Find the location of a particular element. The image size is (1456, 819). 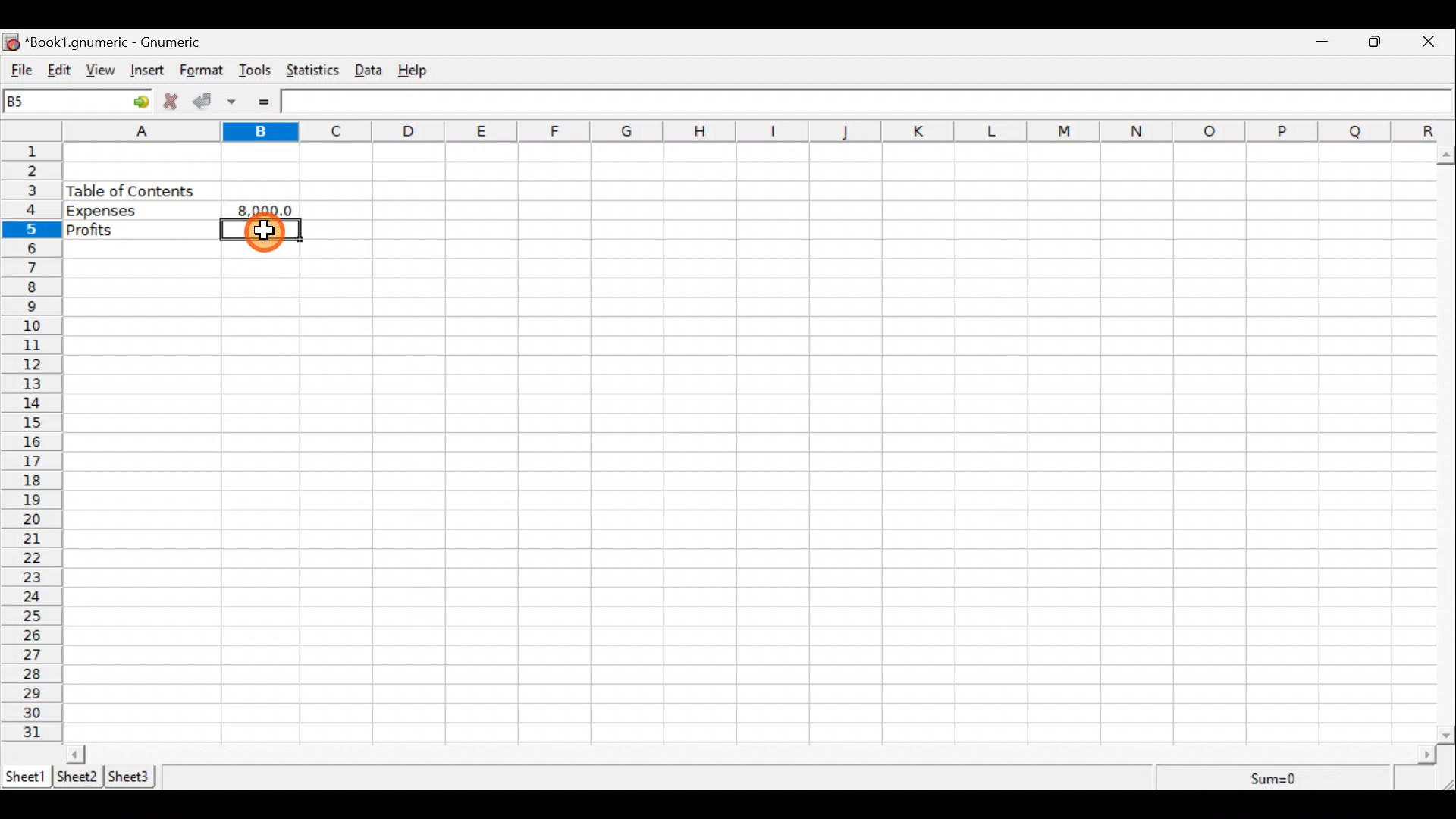

Format is located at coordinates (202, 71).